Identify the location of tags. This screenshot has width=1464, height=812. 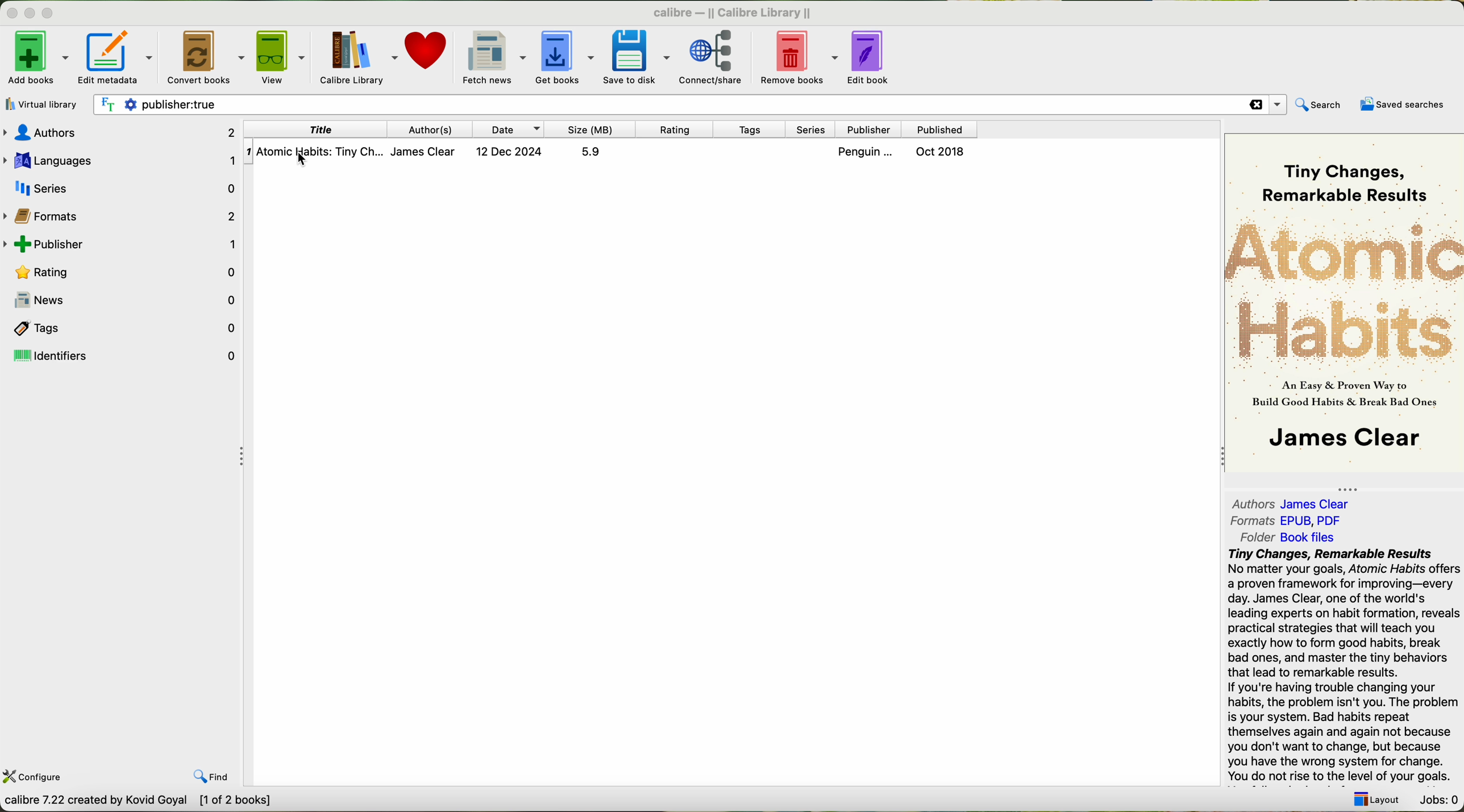
(748, 129).